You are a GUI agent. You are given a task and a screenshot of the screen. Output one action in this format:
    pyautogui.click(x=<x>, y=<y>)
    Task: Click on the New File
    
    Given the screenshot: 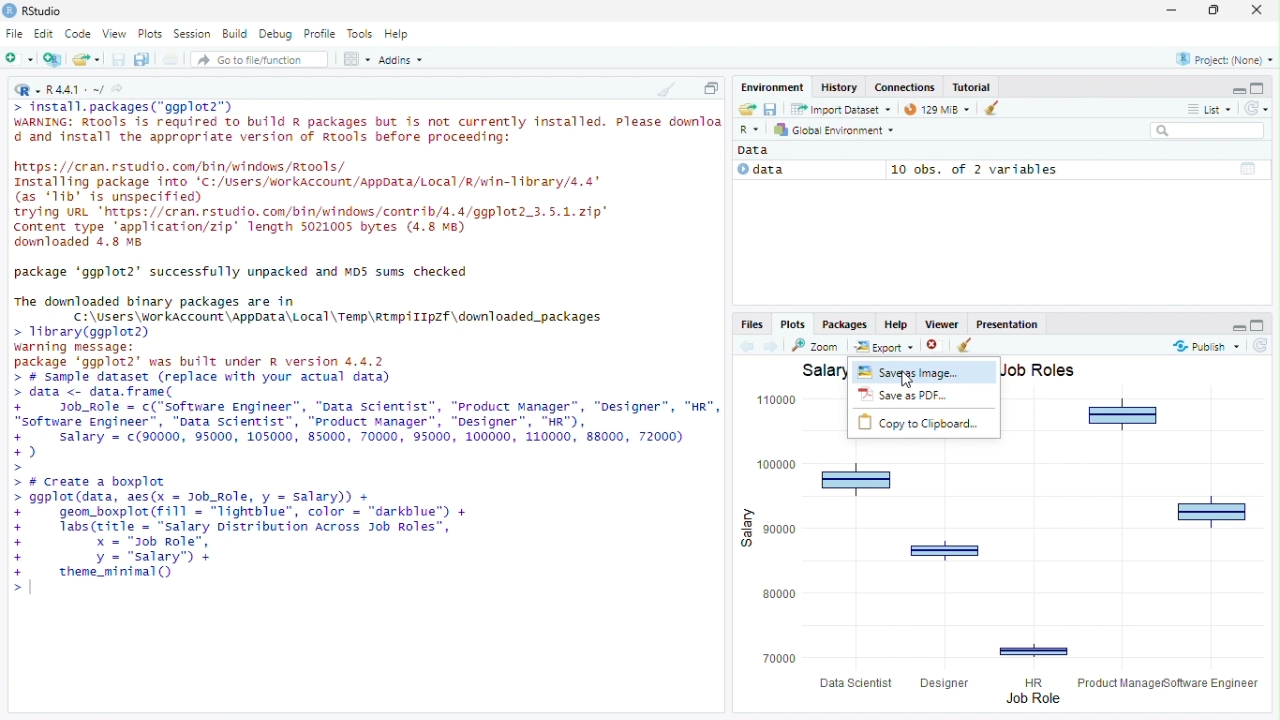 What is the action you would take?
    pyautogui.click(x=20, y=59)
    